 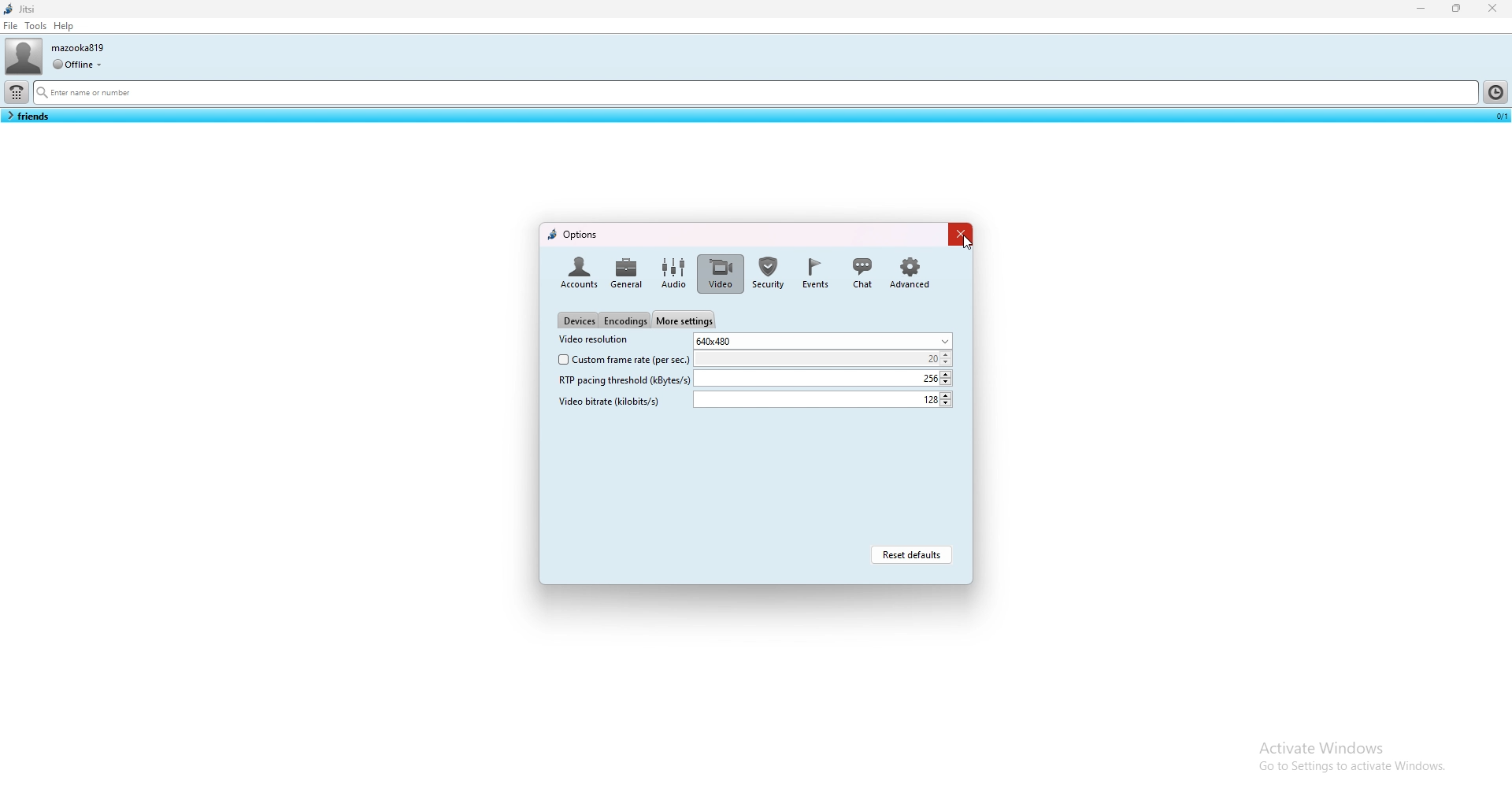 What do you see at coordinates (769, 272) in the screenshot?
I see `Security` at bounding box center [769, 272].